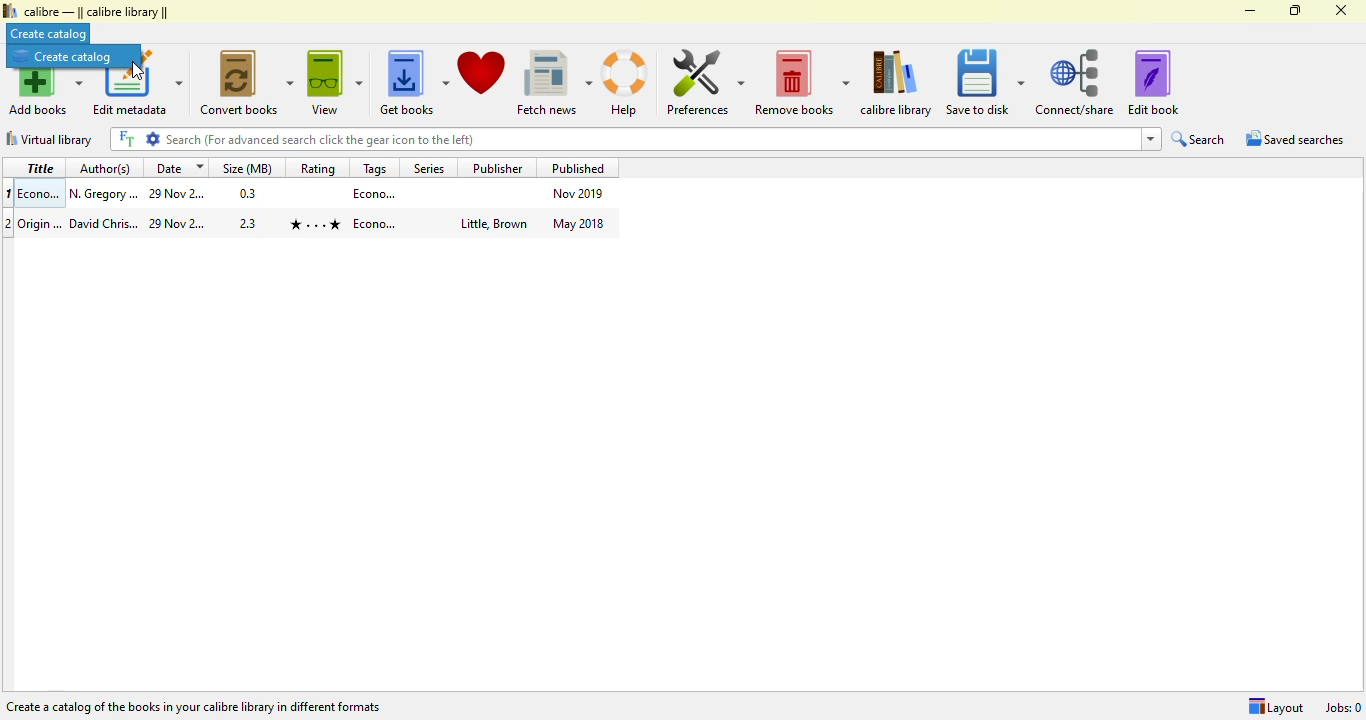 This screenshot has height=720, width=1366. Describe the element at coordinates (1295, 9) in the screenshot. I see `maximize` at that location.